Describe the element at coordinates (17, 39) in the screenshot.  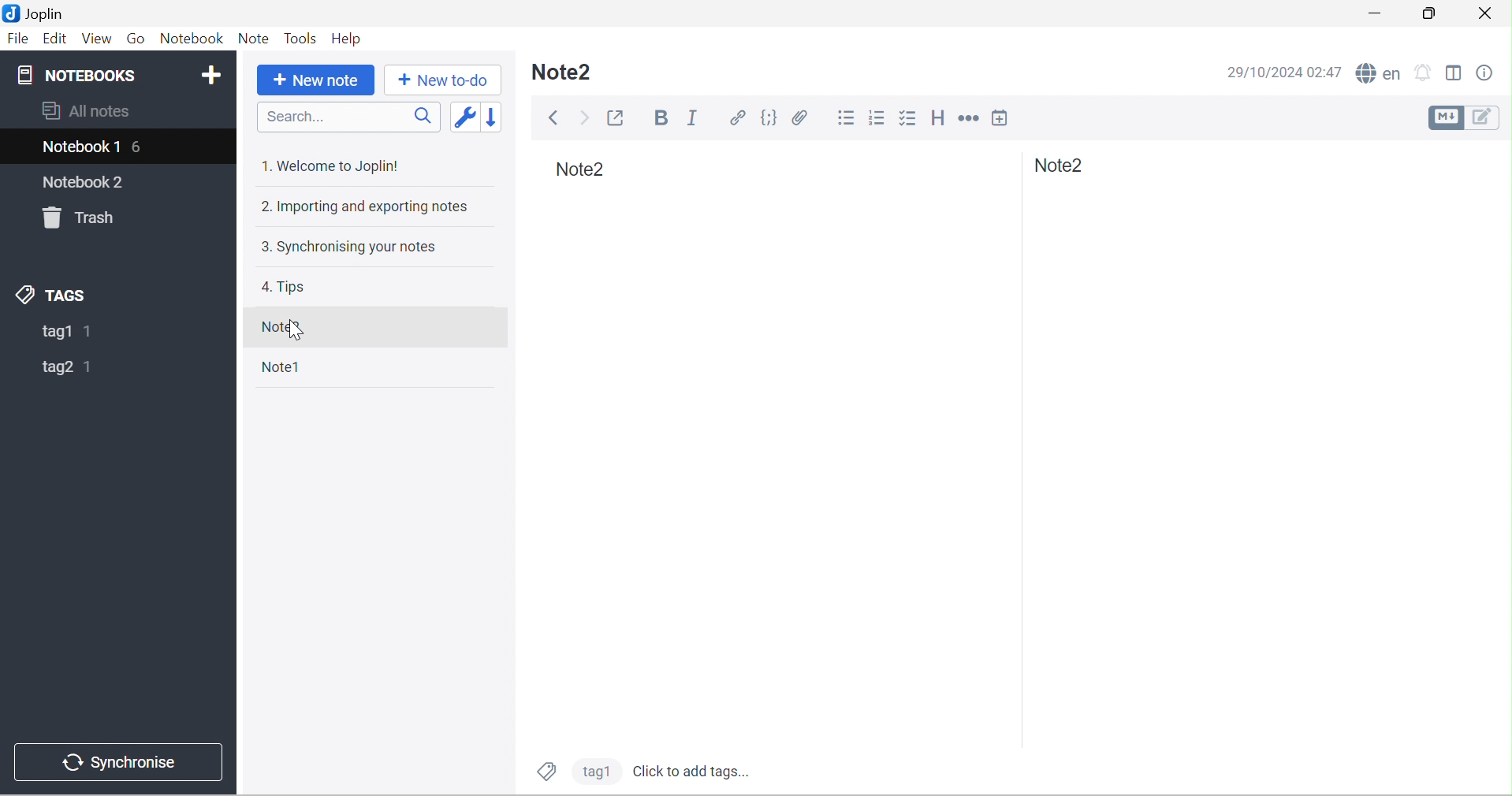
I see `File` at that location.